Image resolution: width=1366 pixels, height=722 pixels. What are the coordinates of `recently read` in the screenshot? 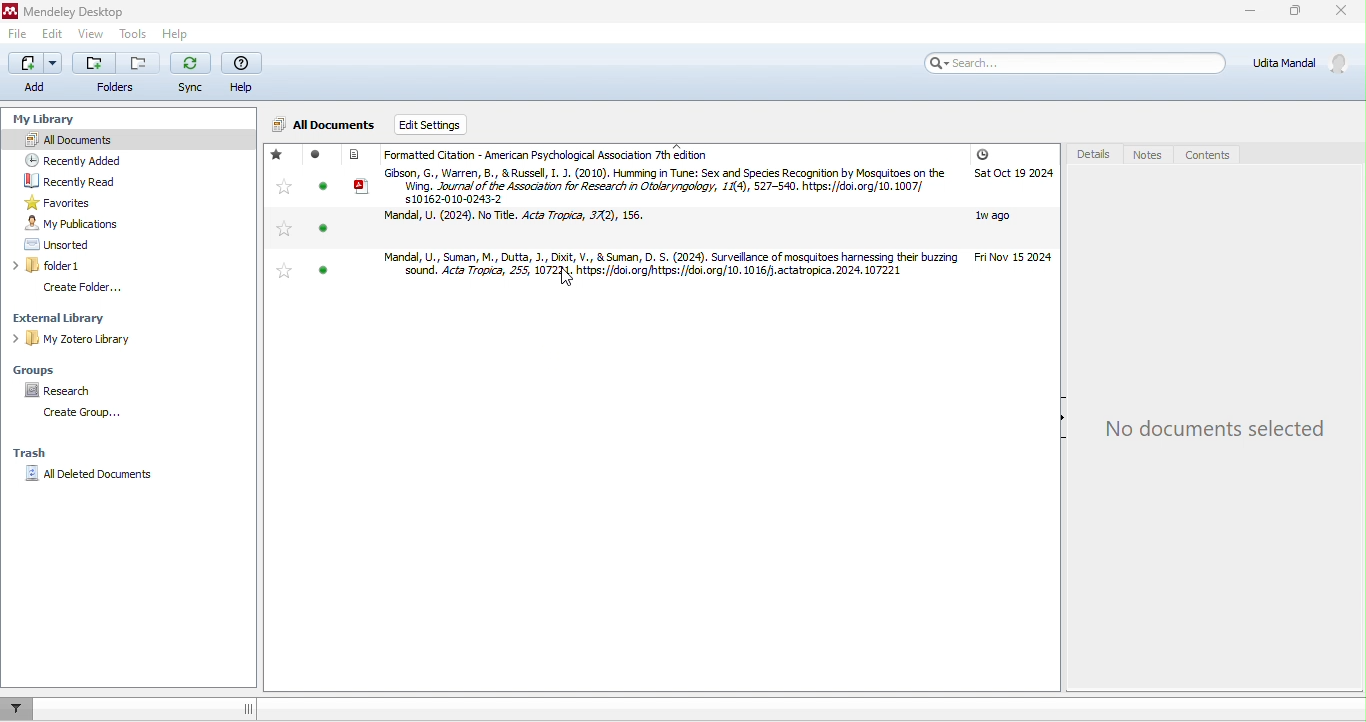 It's located at (91, 182).